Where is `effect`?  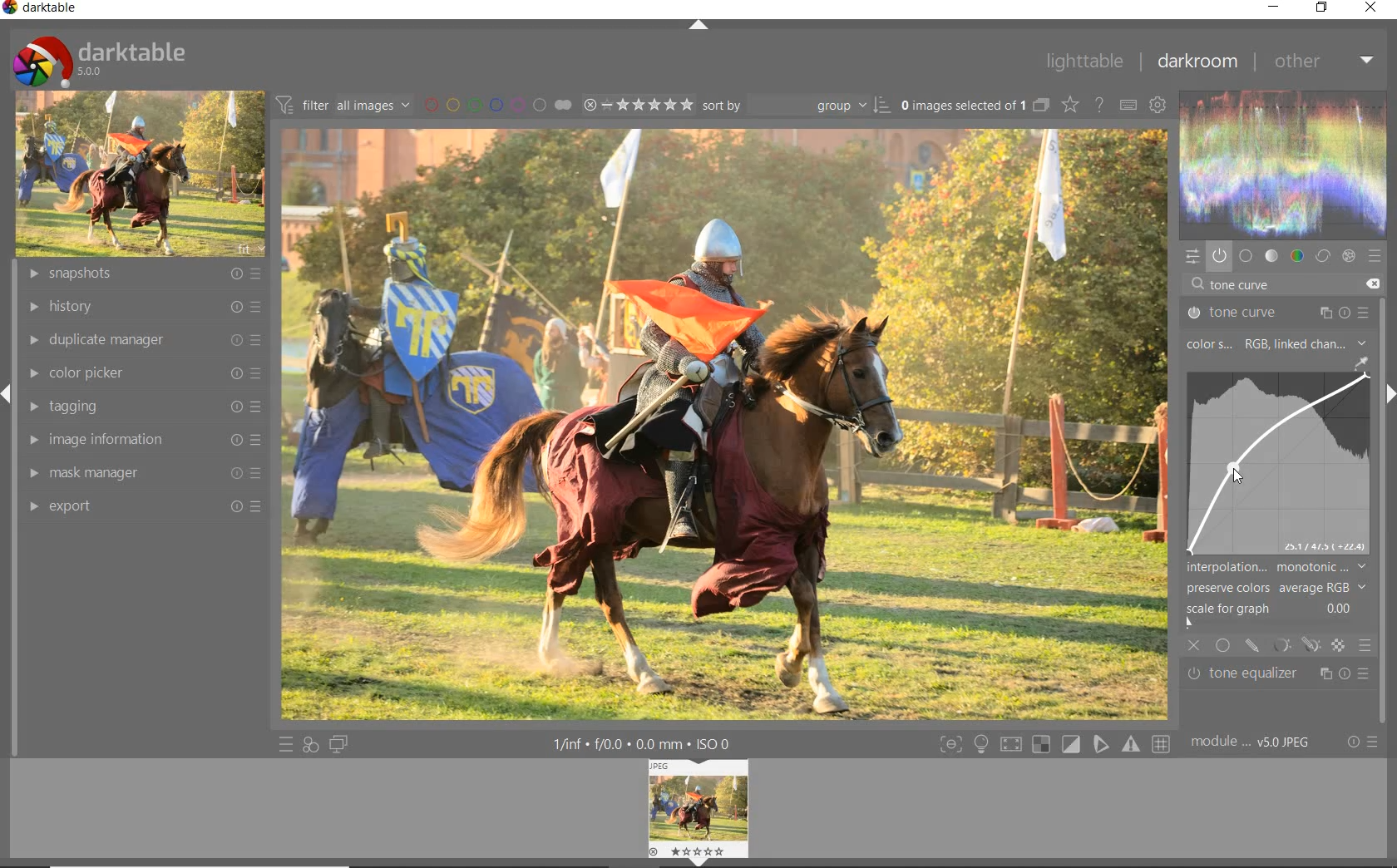 effect is located at coordinates (1347, 256).